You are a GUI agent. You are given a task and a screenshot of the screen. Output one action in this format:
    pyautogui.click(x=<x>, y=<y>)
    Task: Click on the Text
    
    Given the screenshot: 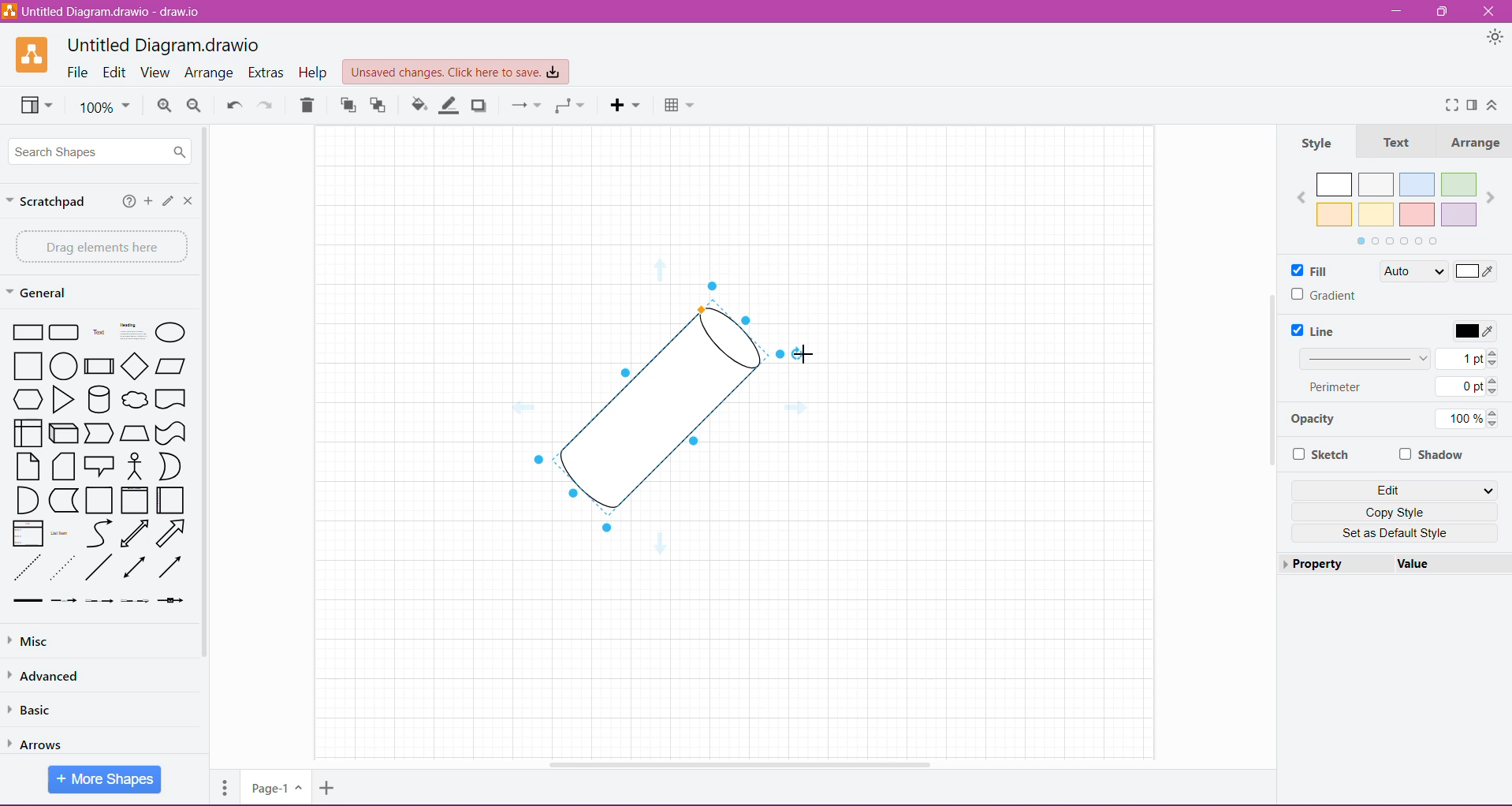 What is the action you would take?
    pyautogui.click(x=1396, y=142)
    